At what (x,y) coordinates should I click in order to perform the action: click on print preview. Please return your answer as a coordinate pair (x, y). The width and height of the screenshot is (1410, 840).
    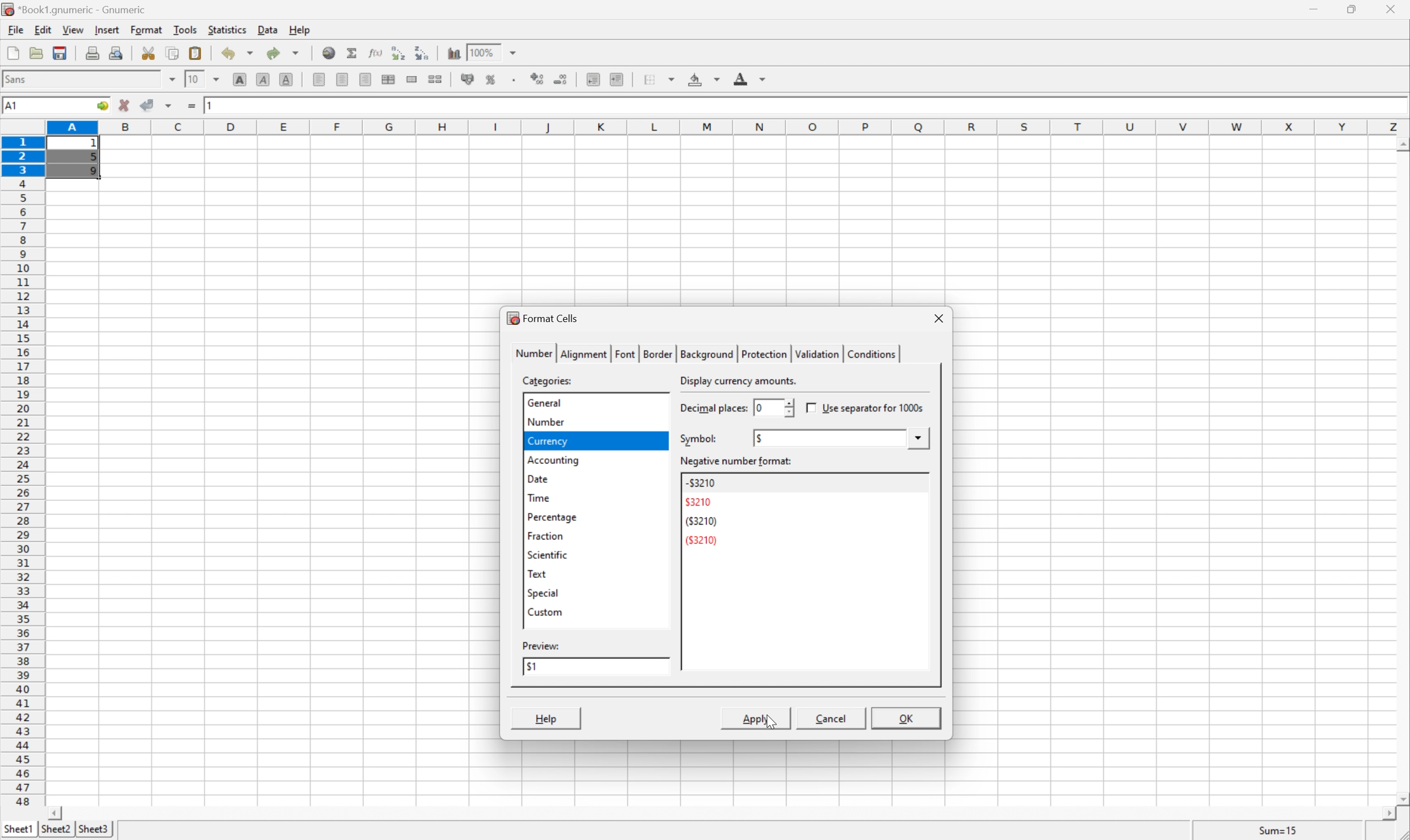
    Looking at the image, I should click on (116, 52).